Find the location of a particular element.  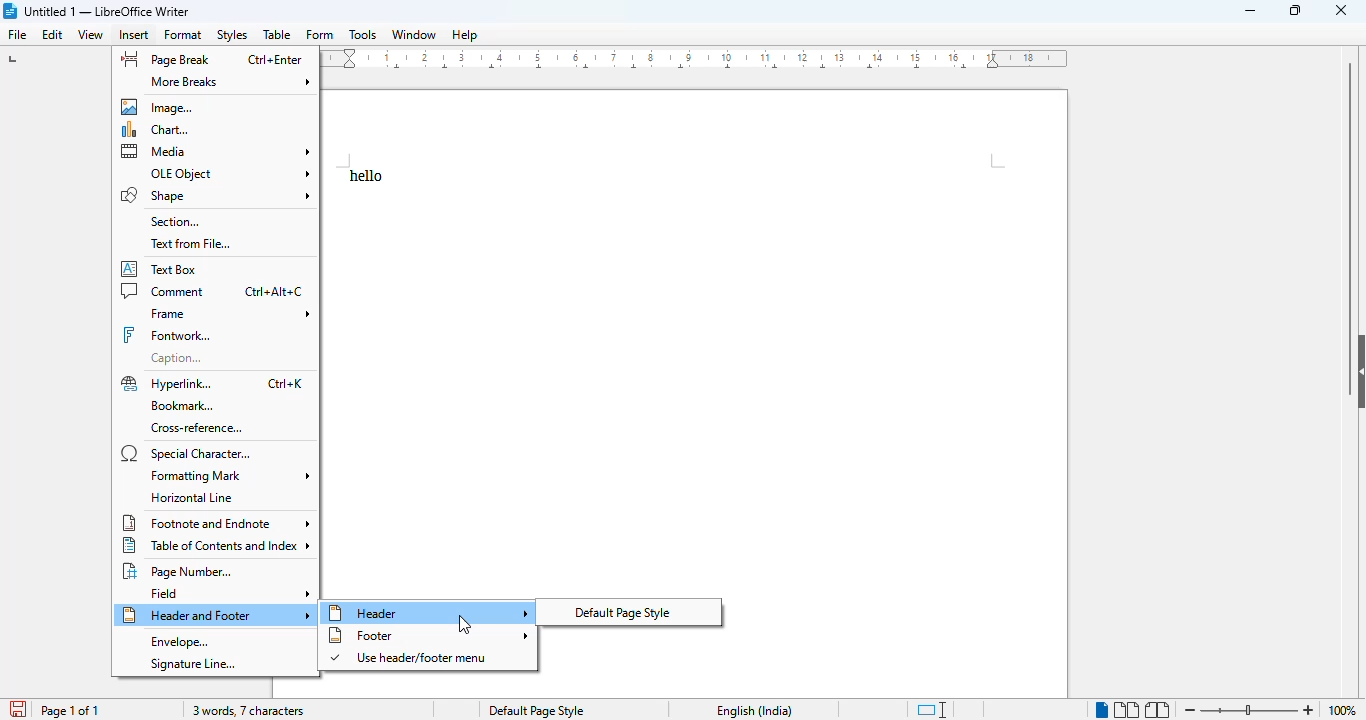

standard selection is located at coordinates (932, 710).